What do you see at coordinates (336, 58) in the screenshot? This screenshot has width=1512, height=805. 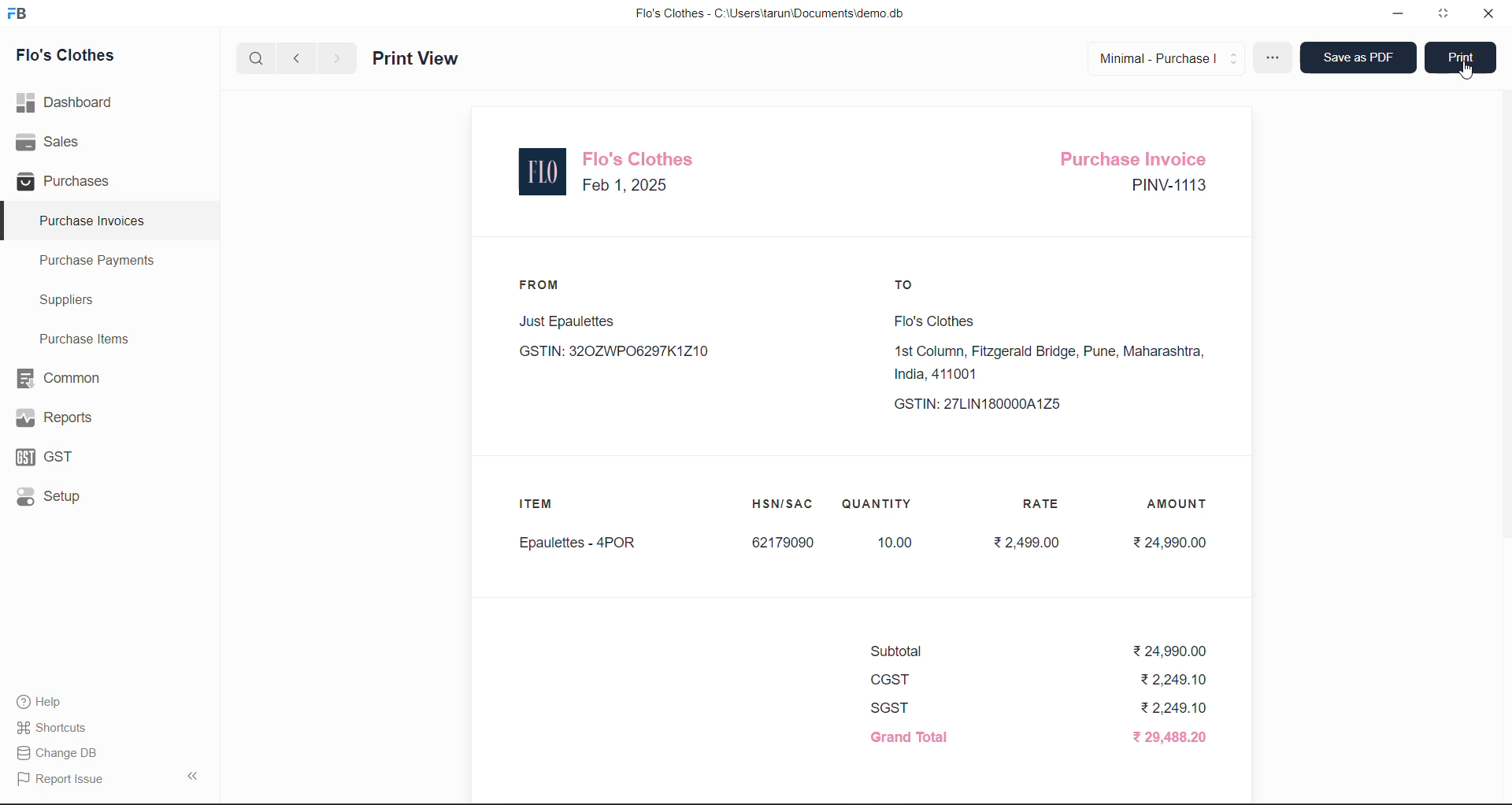 I see `next` at bounding box center [336, 58].